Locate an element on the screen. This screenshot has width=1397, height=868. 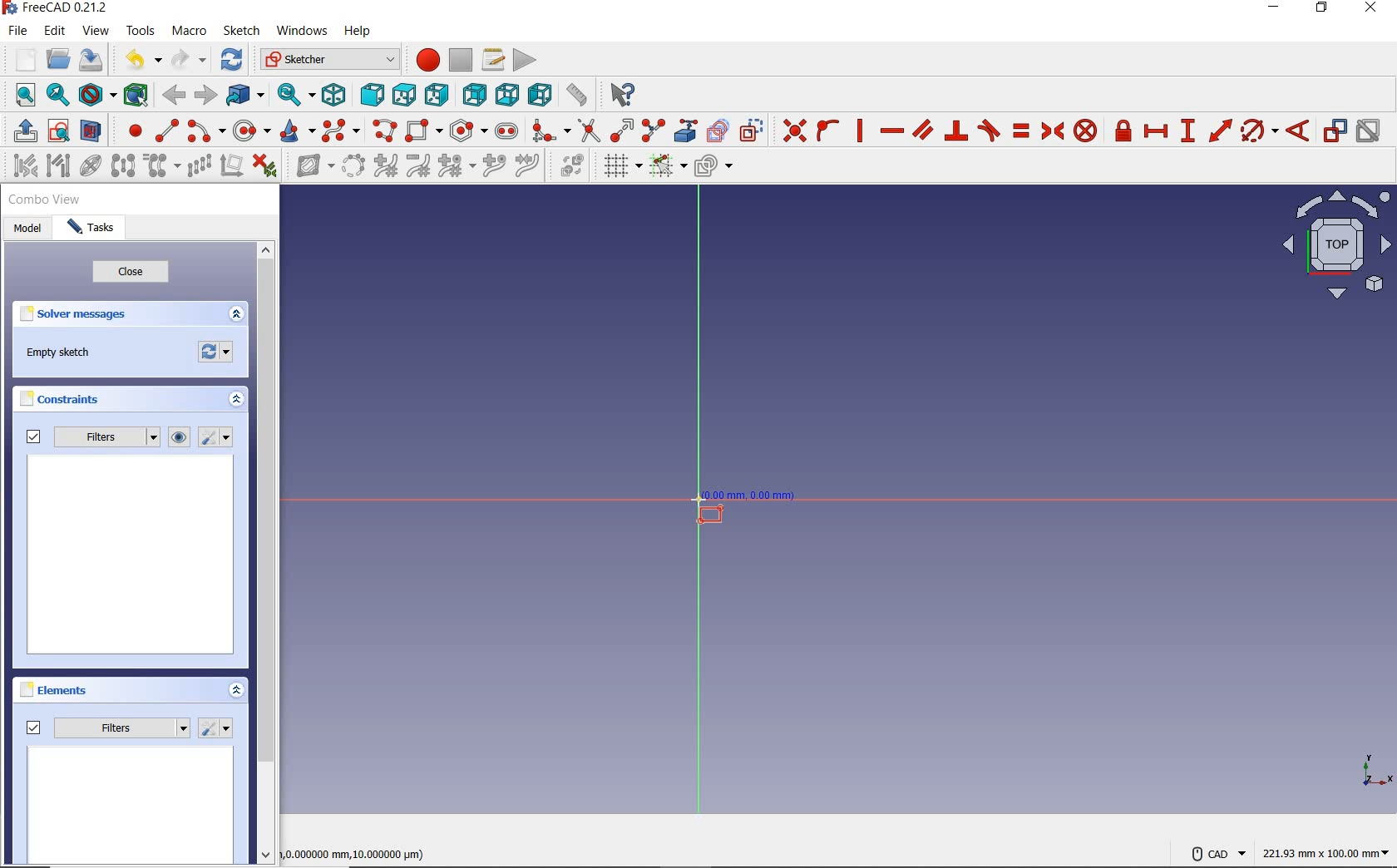
create B-spline is located at coordinates (341, 132).